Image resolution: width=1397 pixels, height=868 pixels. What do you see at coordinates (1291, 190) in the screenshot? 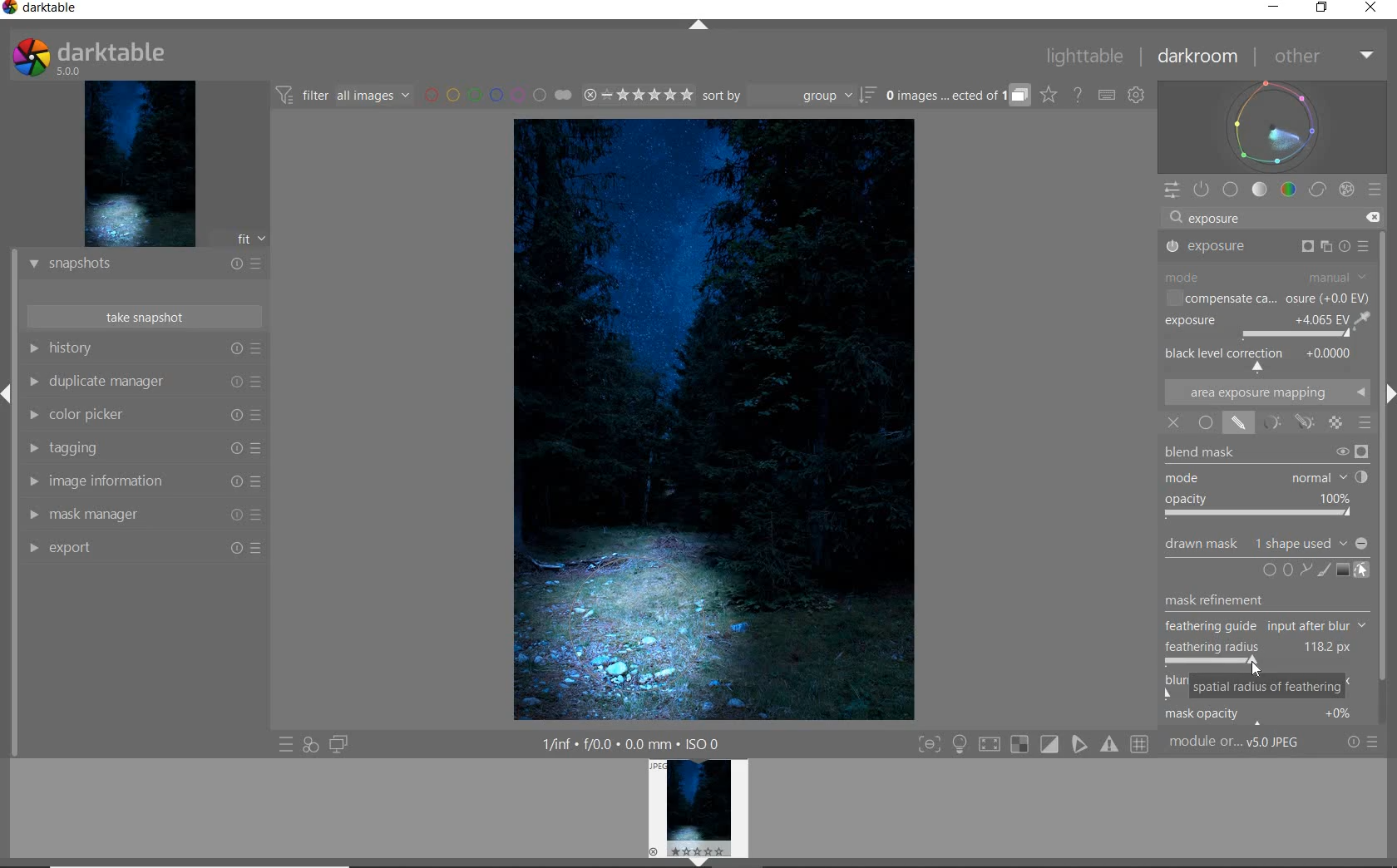
I see `COLOR` at bounding box center [1291, 190].